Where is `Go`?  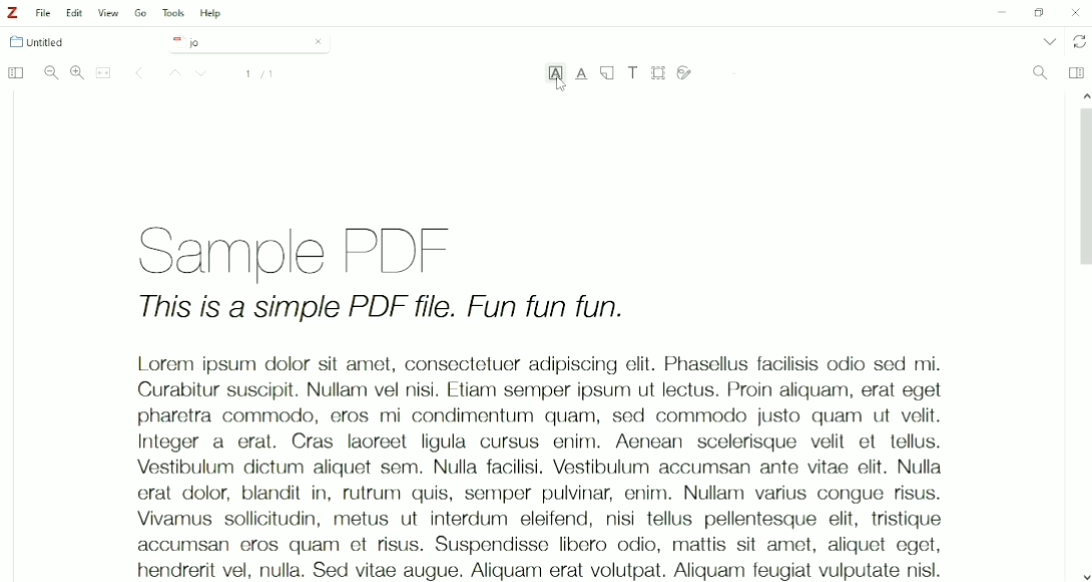 Go is located at coordinates (141, 12).